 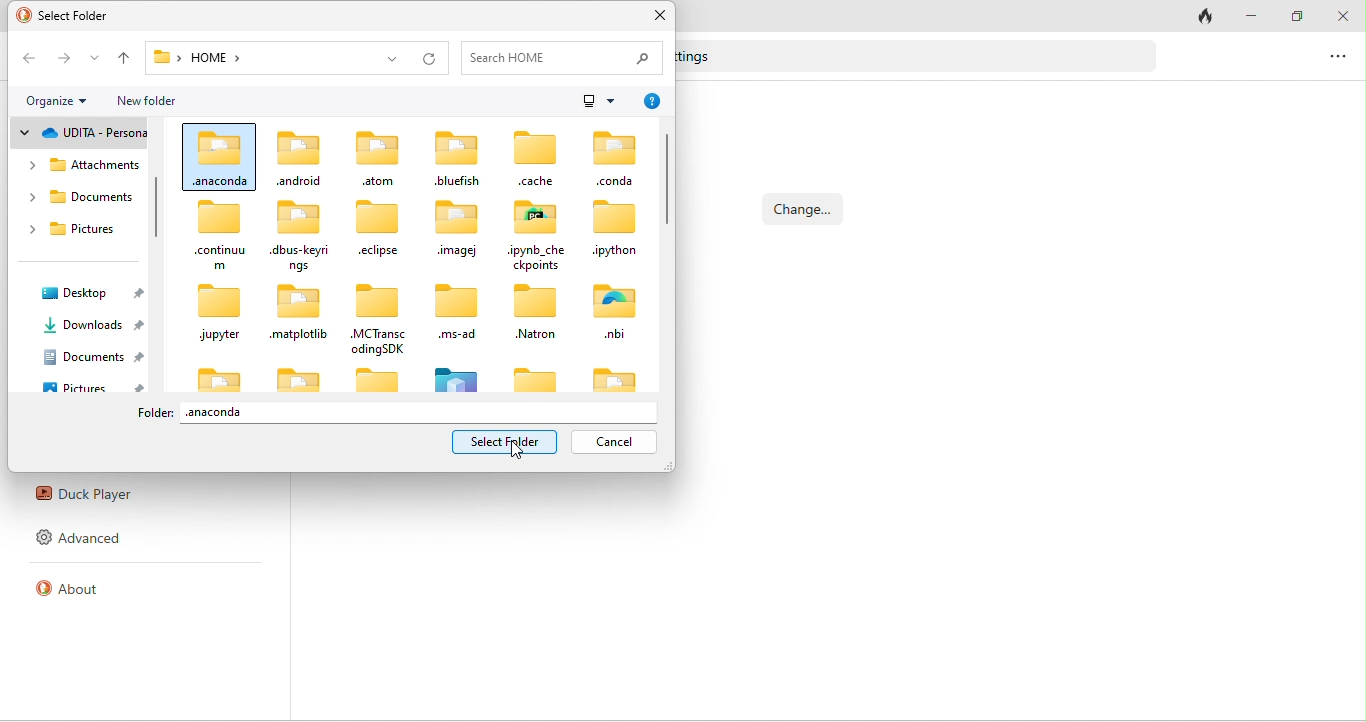 What do you see at coordinates (88, 387) in the screenshot?
I see `pictures` at bounding box center [88, 387].